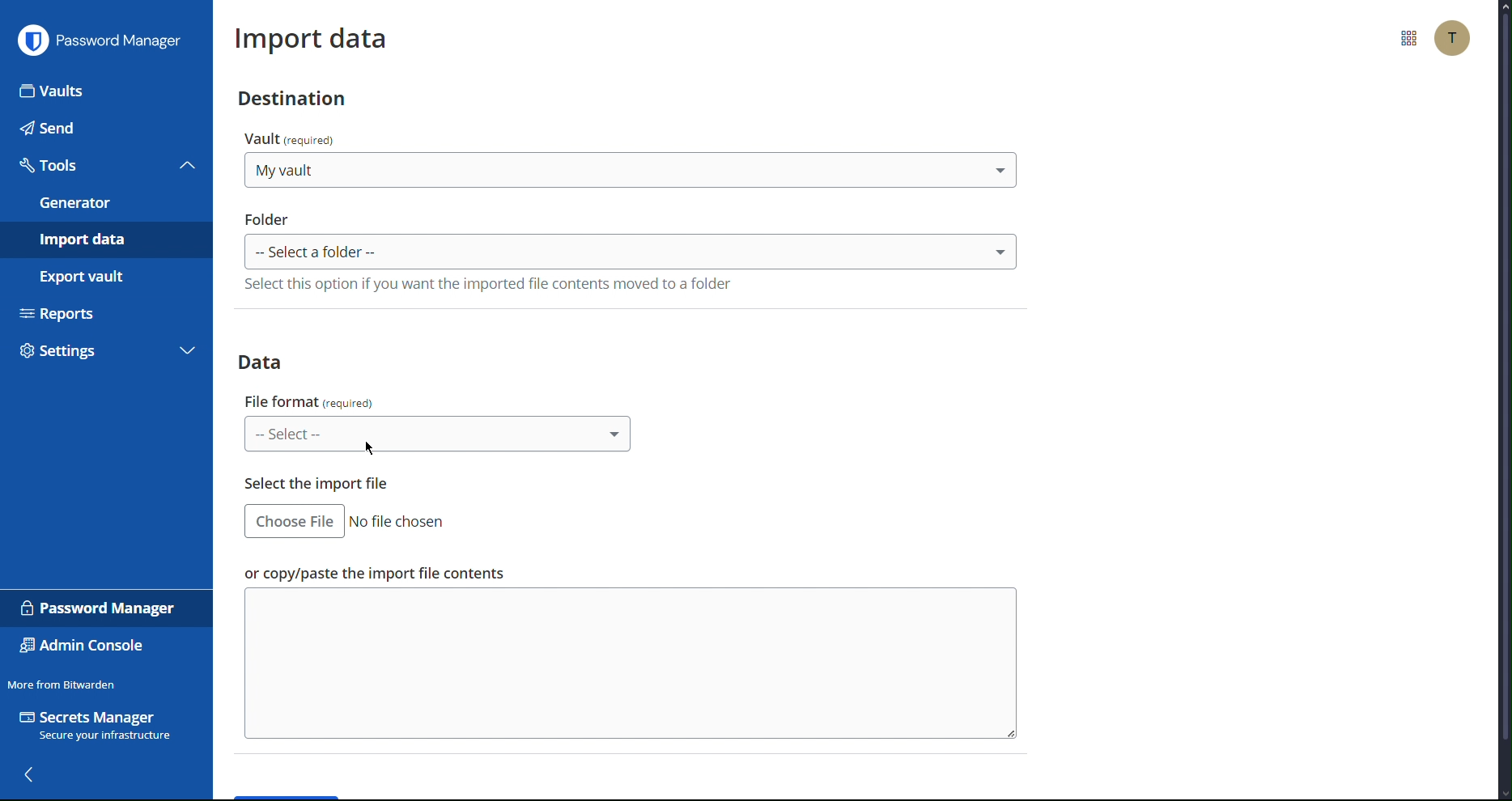 The width and height of the screenshot is (1512, 801). I want to click on file format, so click(309, 401).